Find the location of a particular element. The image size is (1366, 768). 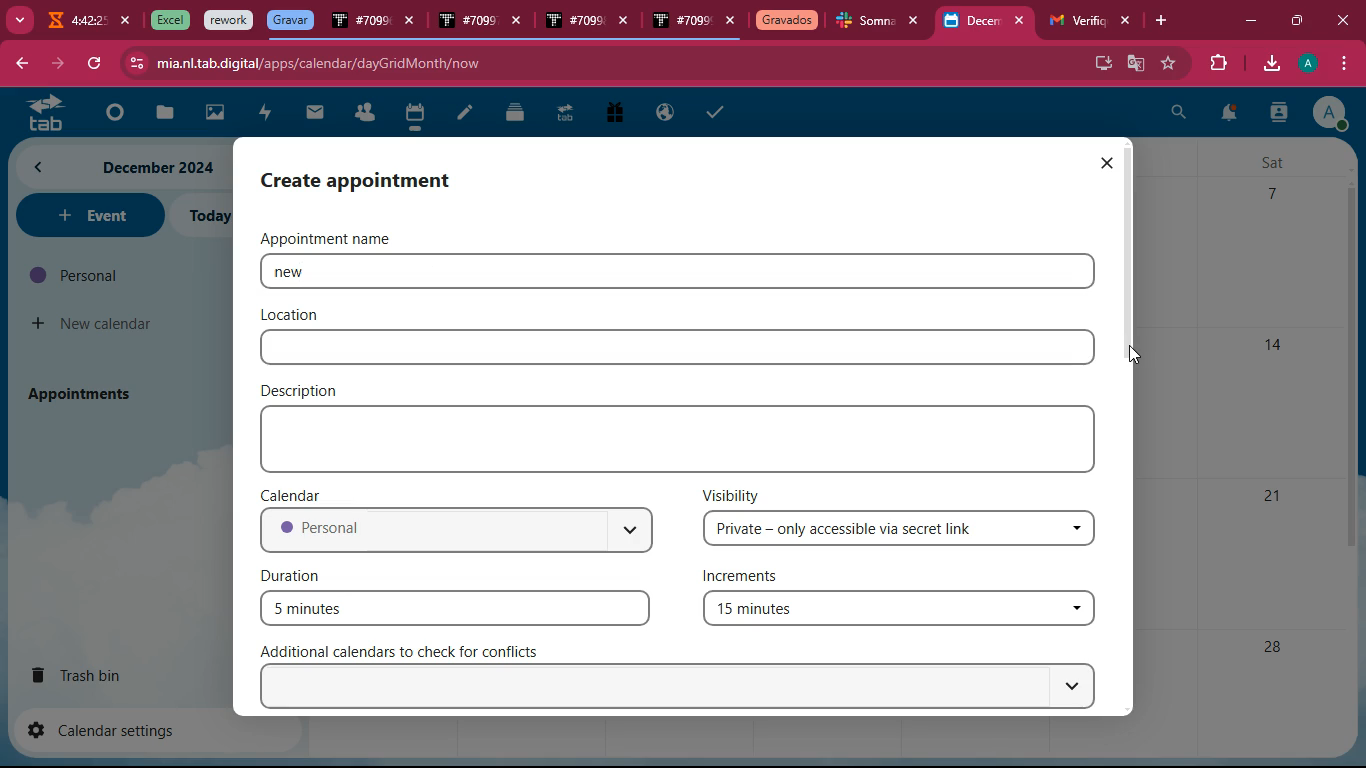

tab is located at coordinates (573, 22).